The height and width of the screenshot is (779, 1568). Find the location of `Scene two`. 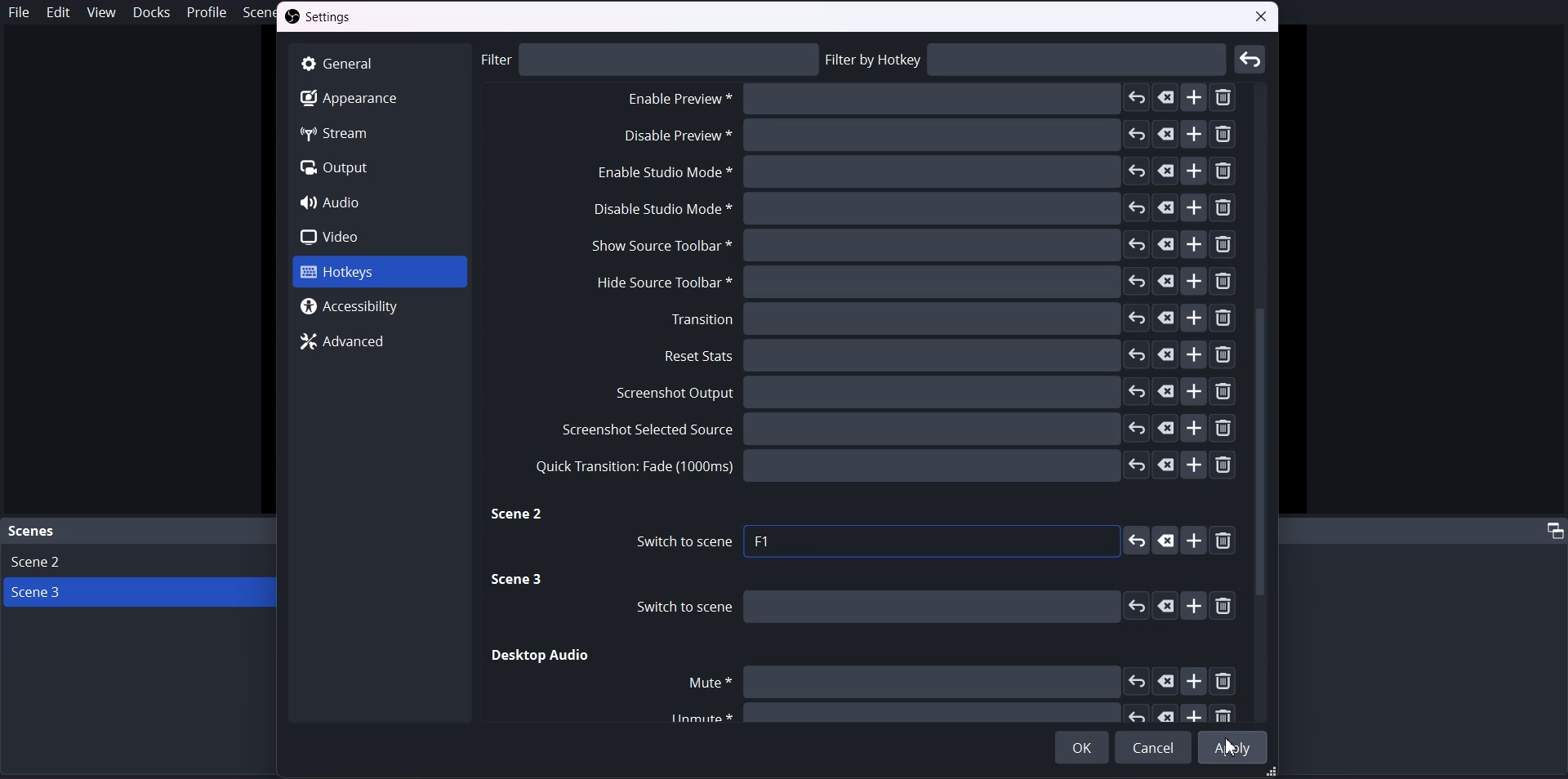

Scene two is located at coordinates (519, 515).